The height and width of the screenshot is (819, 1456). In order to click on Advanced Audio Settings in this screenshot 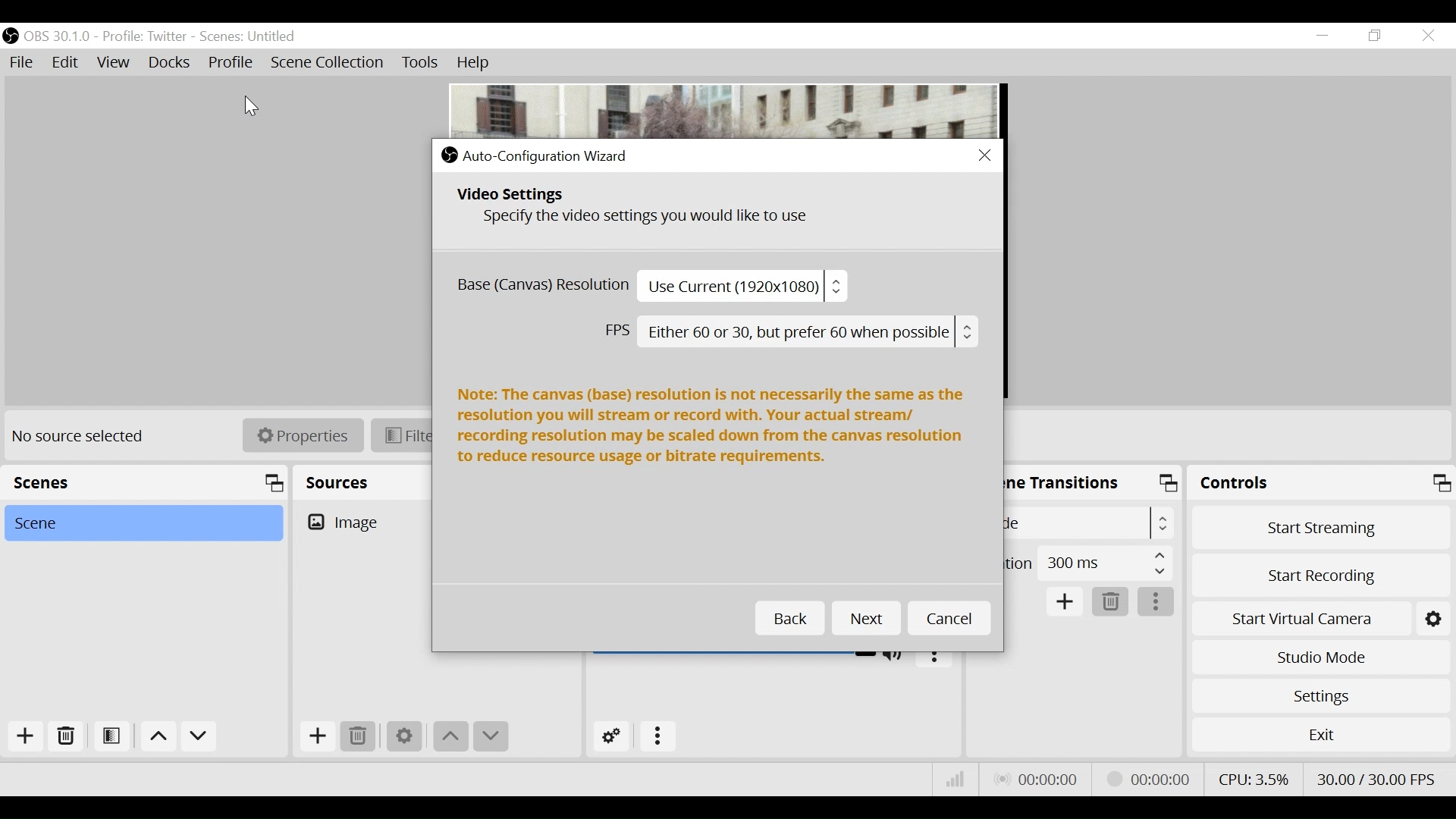, I will do `click(613, 736)`.